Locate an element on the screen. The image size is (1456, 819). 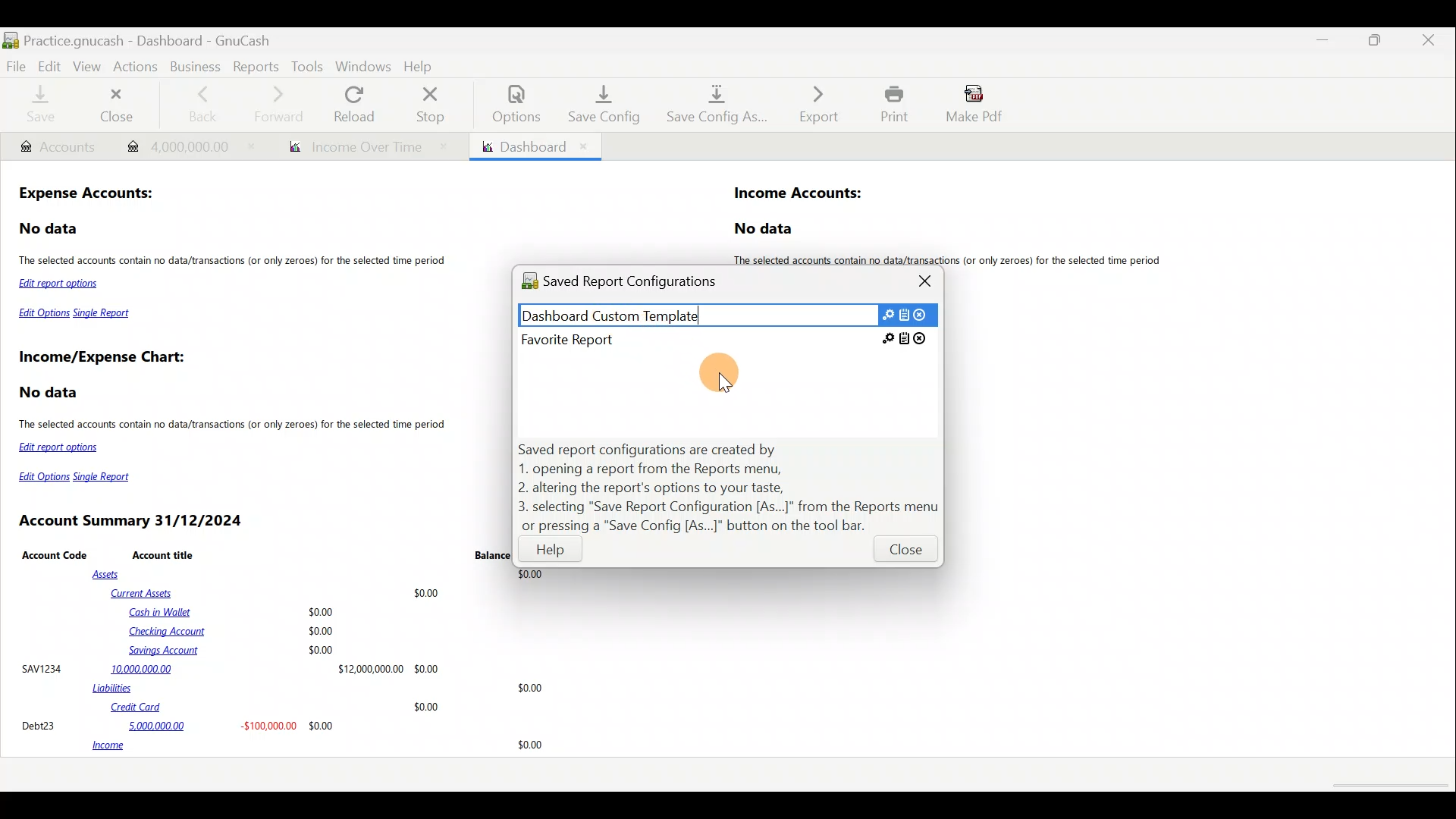
Saved report 1 is located at coordinates (727, 314).